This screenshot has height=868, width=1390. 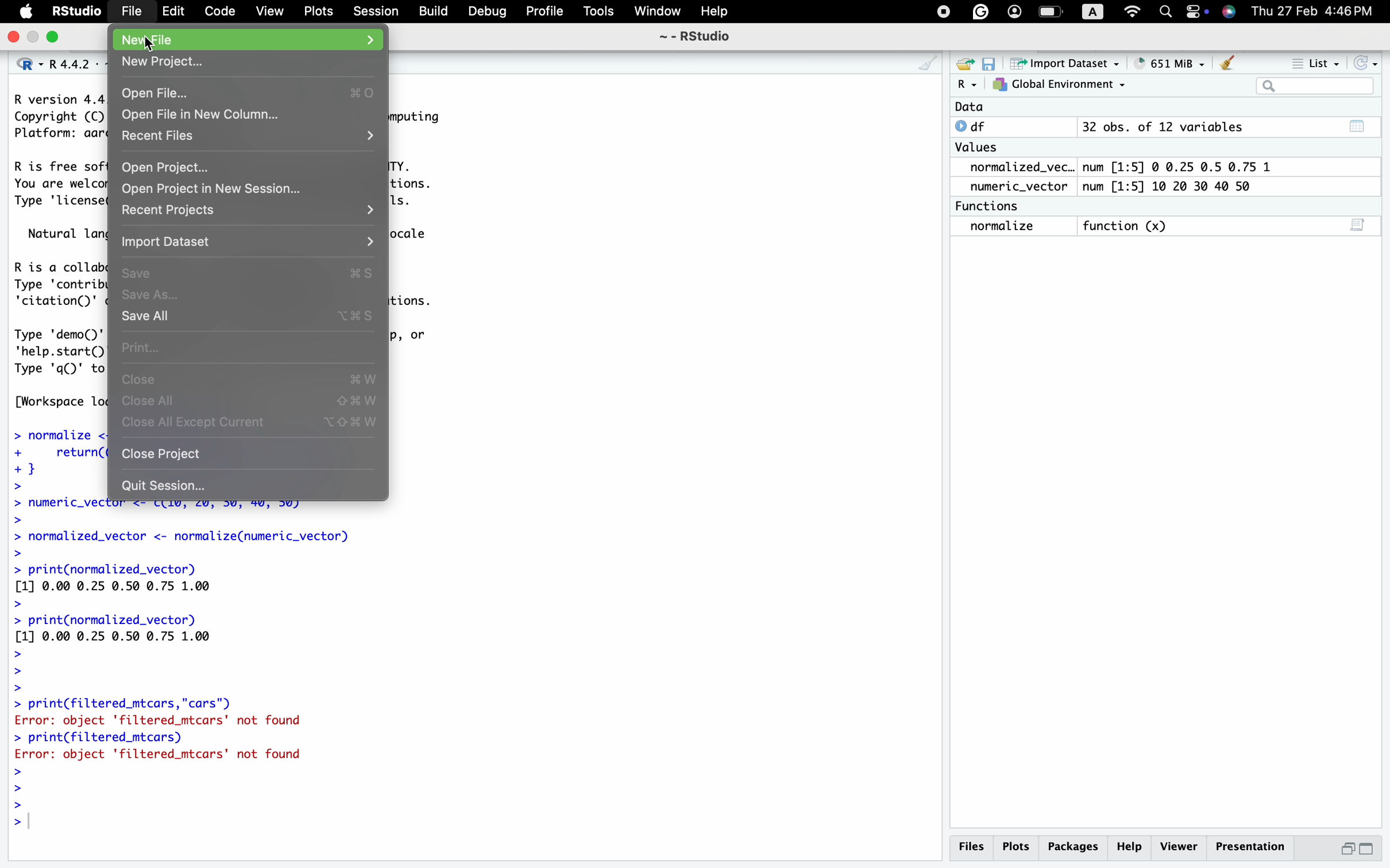 What do you see at coordinates (1369, 61) in the screenshot?
I see `Refresh` at bounding box center [1369, 61].